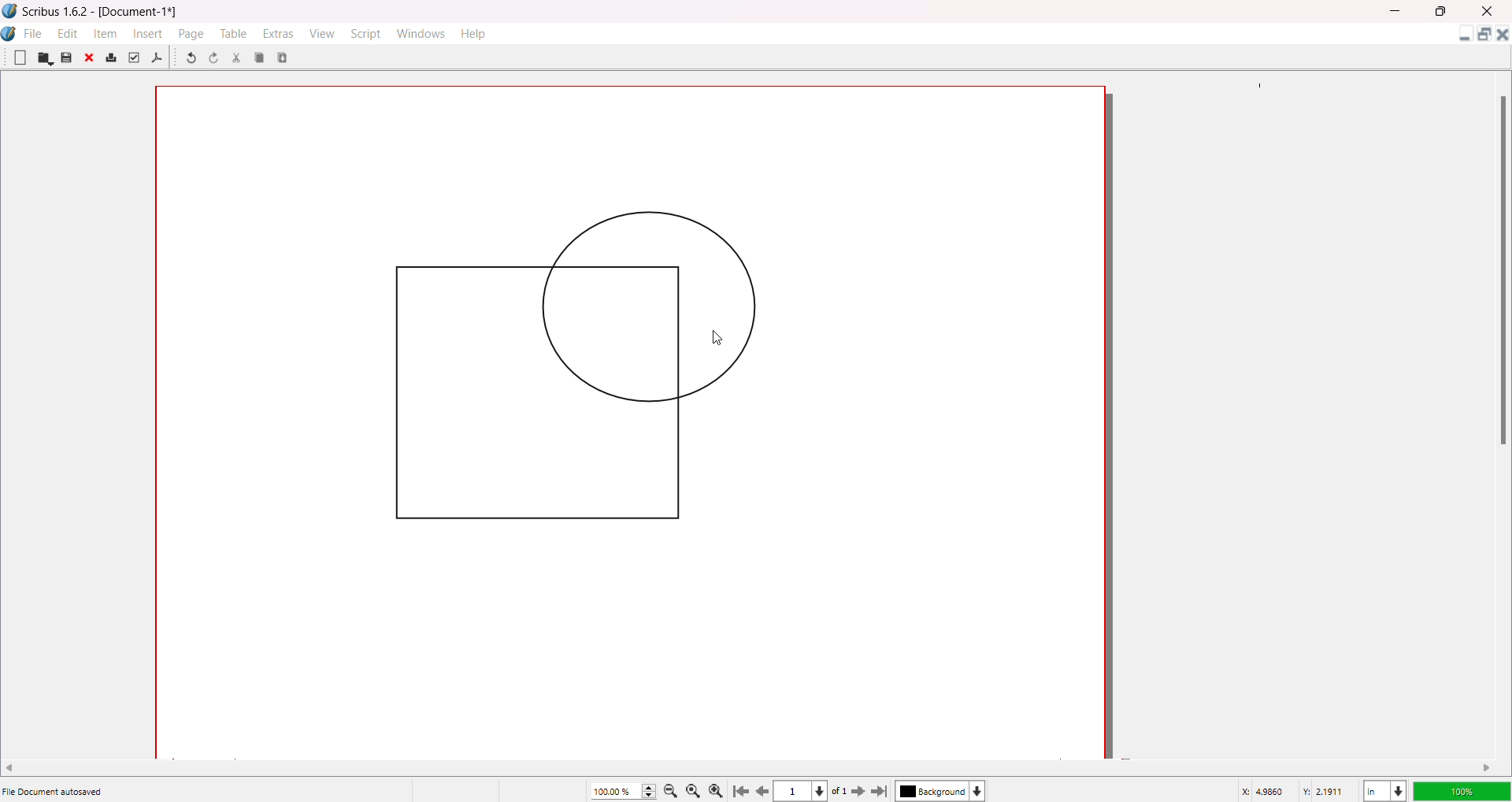 The image size is (1512, 802). What do you see at coordinates (91, 59) in the screenshot?
I see `Close` at bounding box center [91, 59].